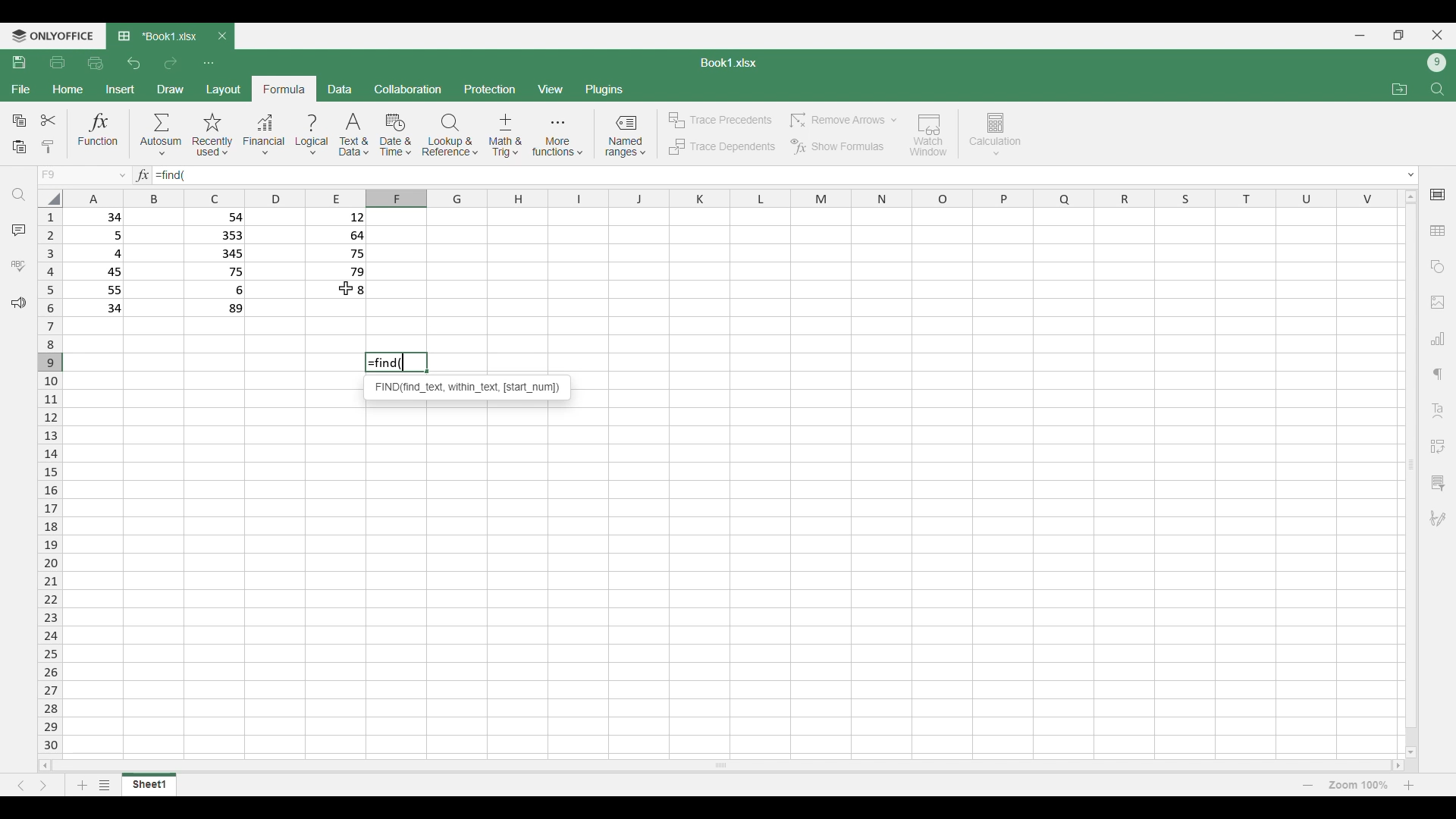  What do you see at coordinates (733, 582) in the screenshot?
I see `Current set of cells` at bounding box center [733, 582].